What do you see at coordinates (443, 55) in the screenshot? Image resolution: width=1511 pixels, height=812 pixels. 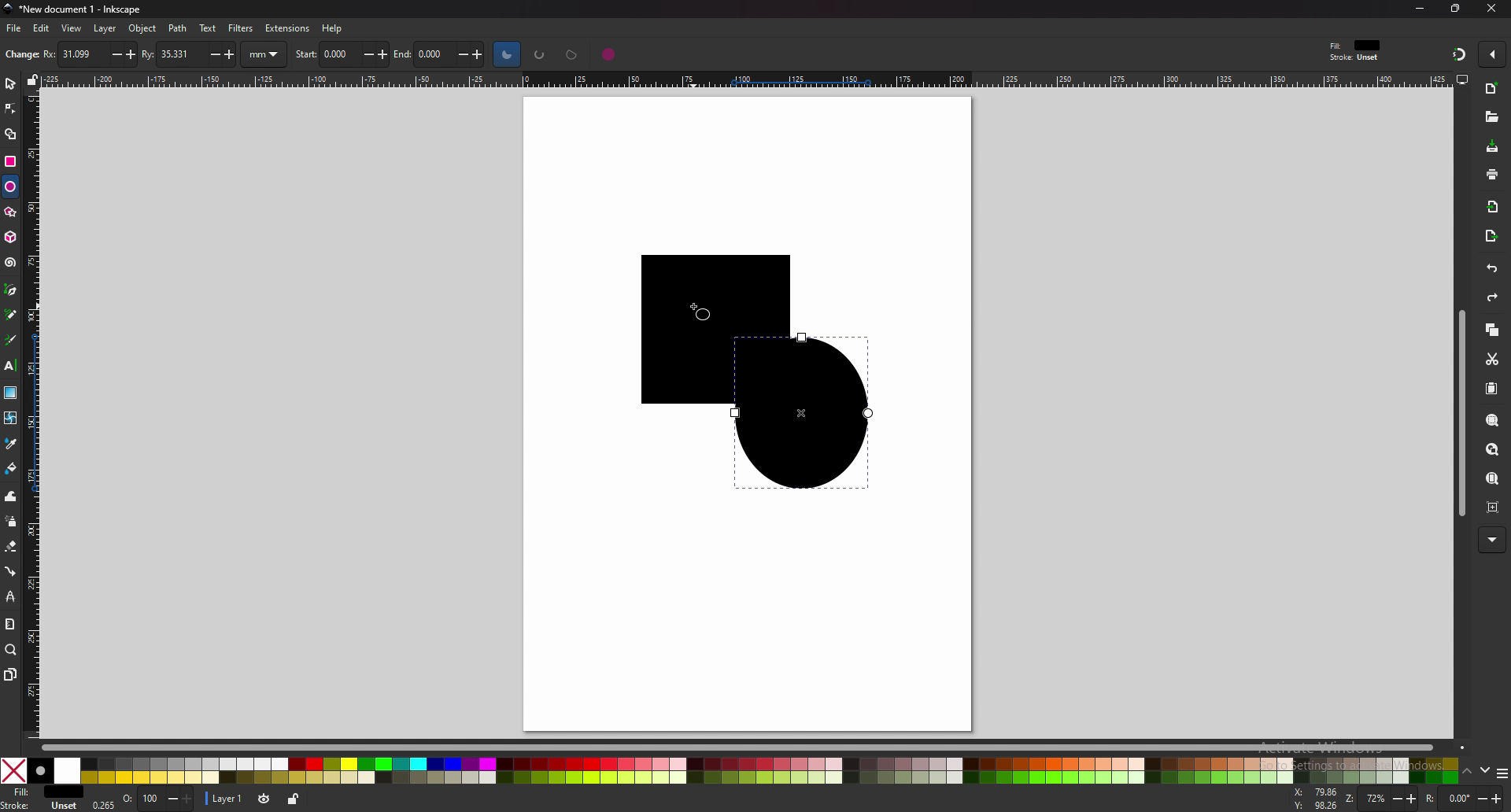 I see `end` at bounding box center [443, 55].